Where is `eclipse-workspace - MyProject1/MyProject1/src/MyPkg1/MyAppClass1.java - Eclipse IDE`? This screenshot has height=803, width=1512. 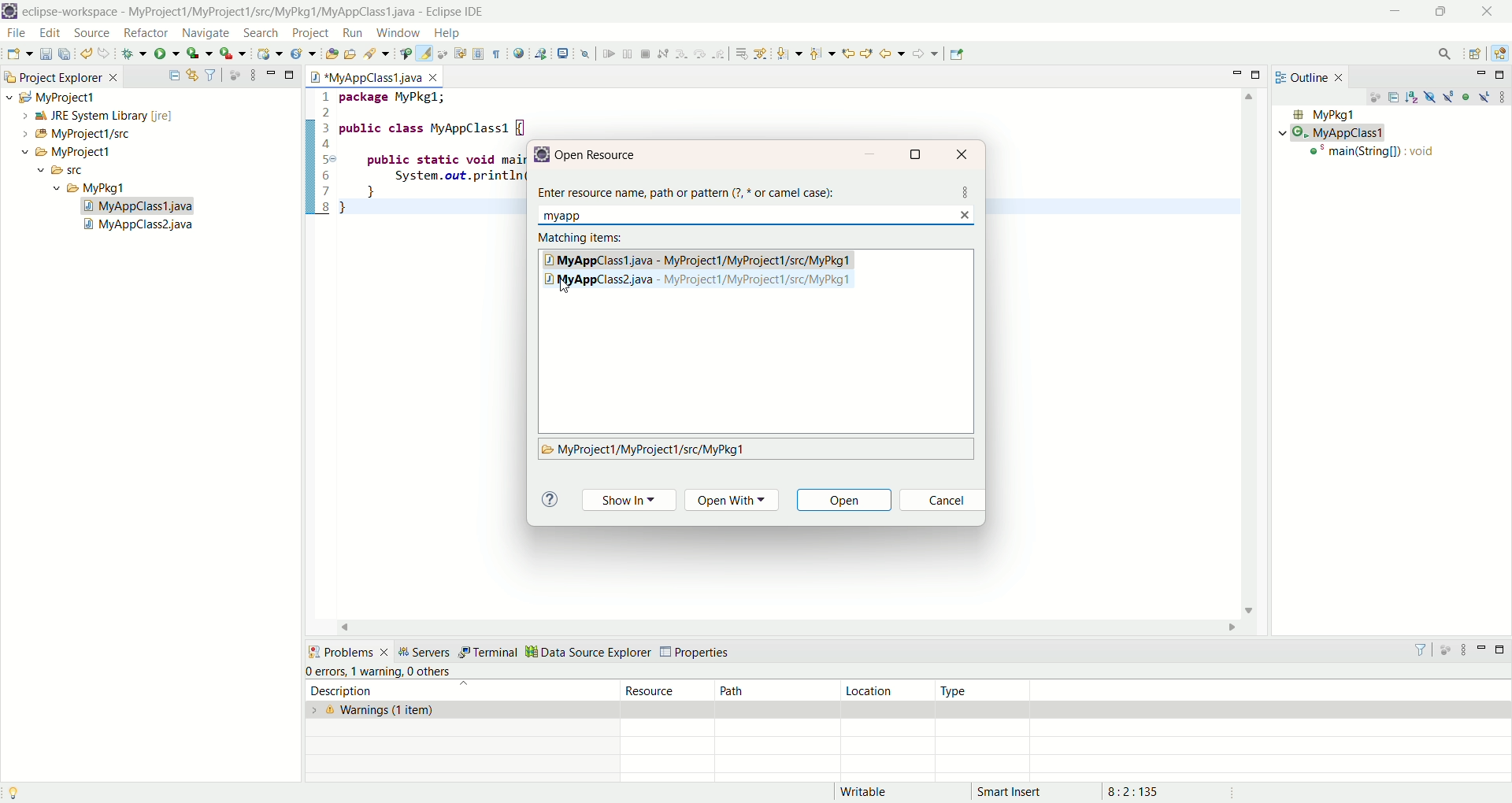 eclipse-workspace - MyProject1/MyProject1/src/MyPkg1/MyAppClass1.java - Eclipse IDE is located at coordinates (258, 12).